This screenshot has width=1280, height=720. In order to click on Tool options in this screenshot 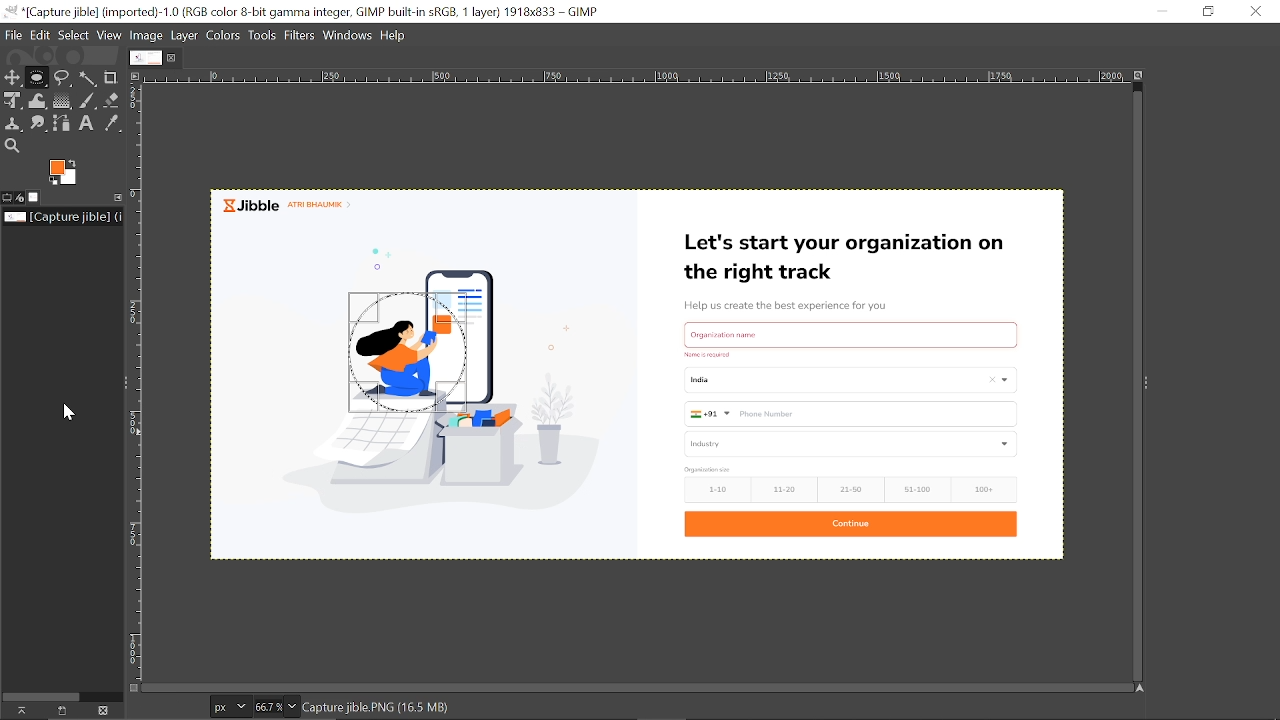, I will do `click(7, 198)`.